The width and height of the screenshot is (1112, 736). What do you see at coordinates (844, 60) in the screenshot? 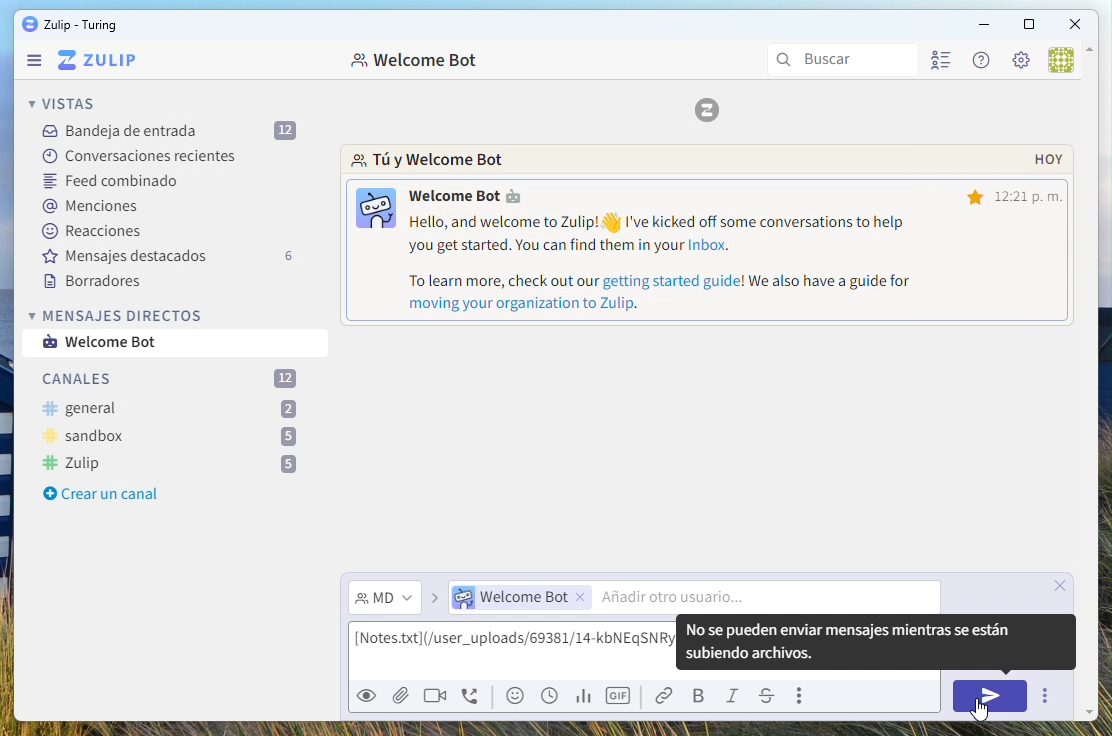
I see `Search` at bounding box center [844, 60].